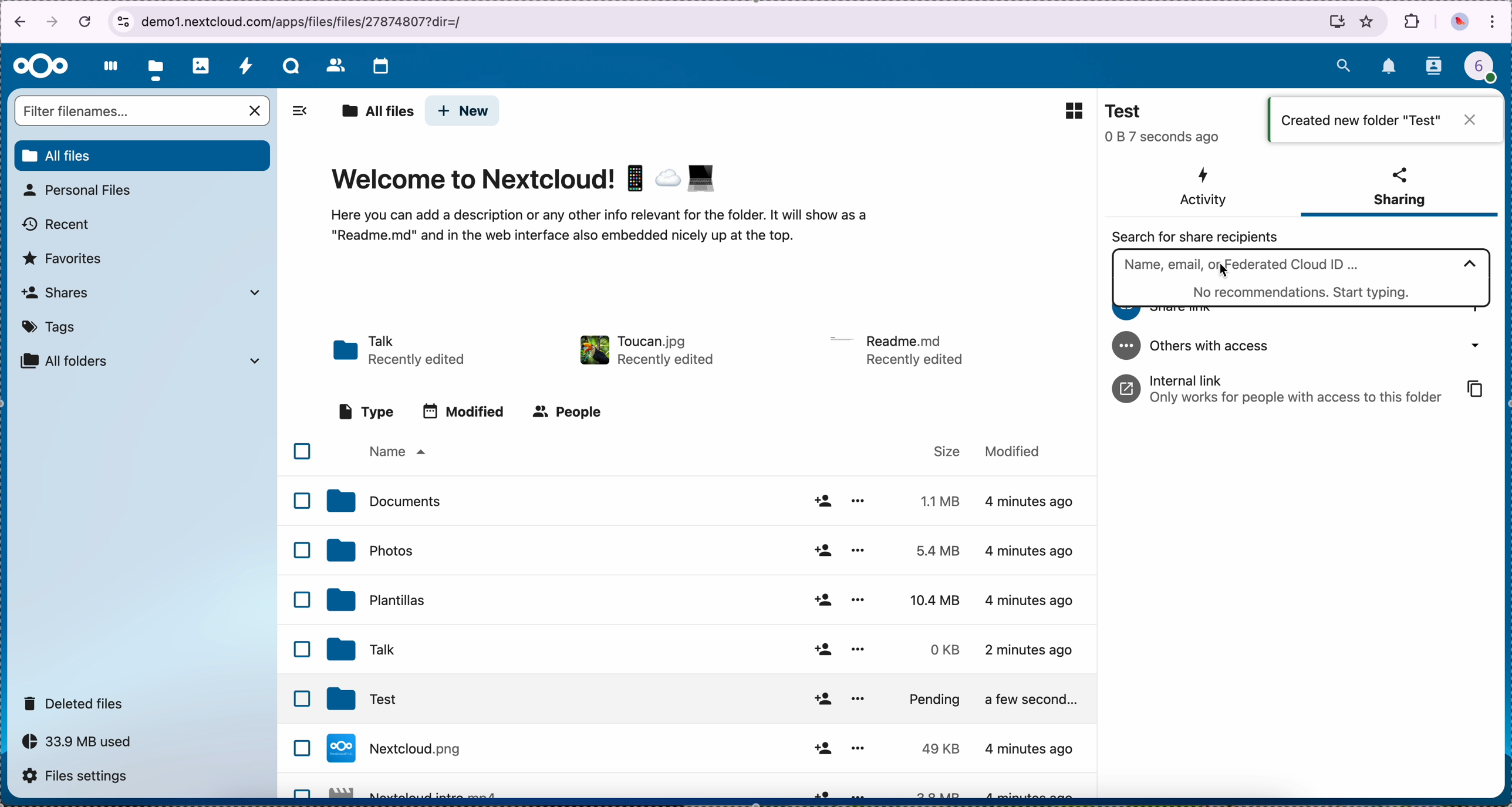  Describe the element at coordinates (53, 23) in the screenshot. I see `navigate foward` at that location.